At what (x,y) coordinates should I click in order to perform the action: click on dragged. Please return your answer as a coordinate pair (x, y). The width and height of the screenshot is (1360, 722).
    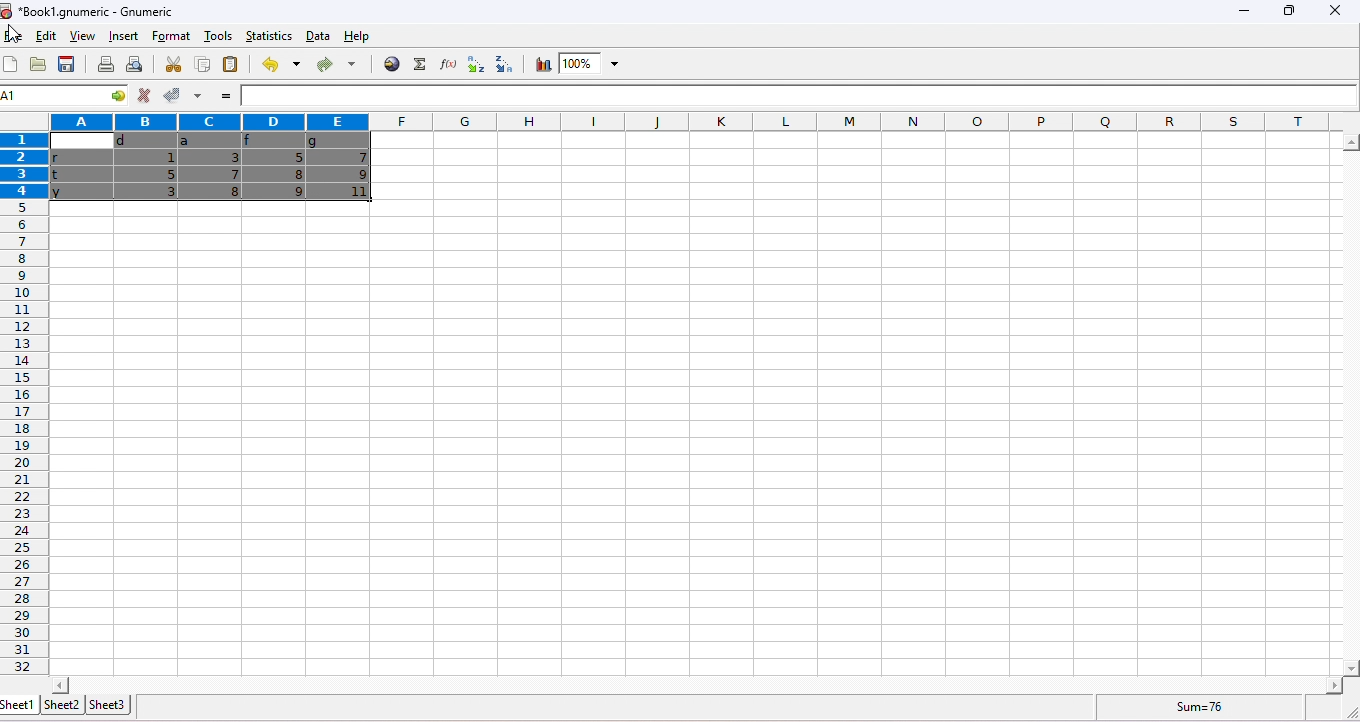
    Looking at the image, I should click on (211, 166).